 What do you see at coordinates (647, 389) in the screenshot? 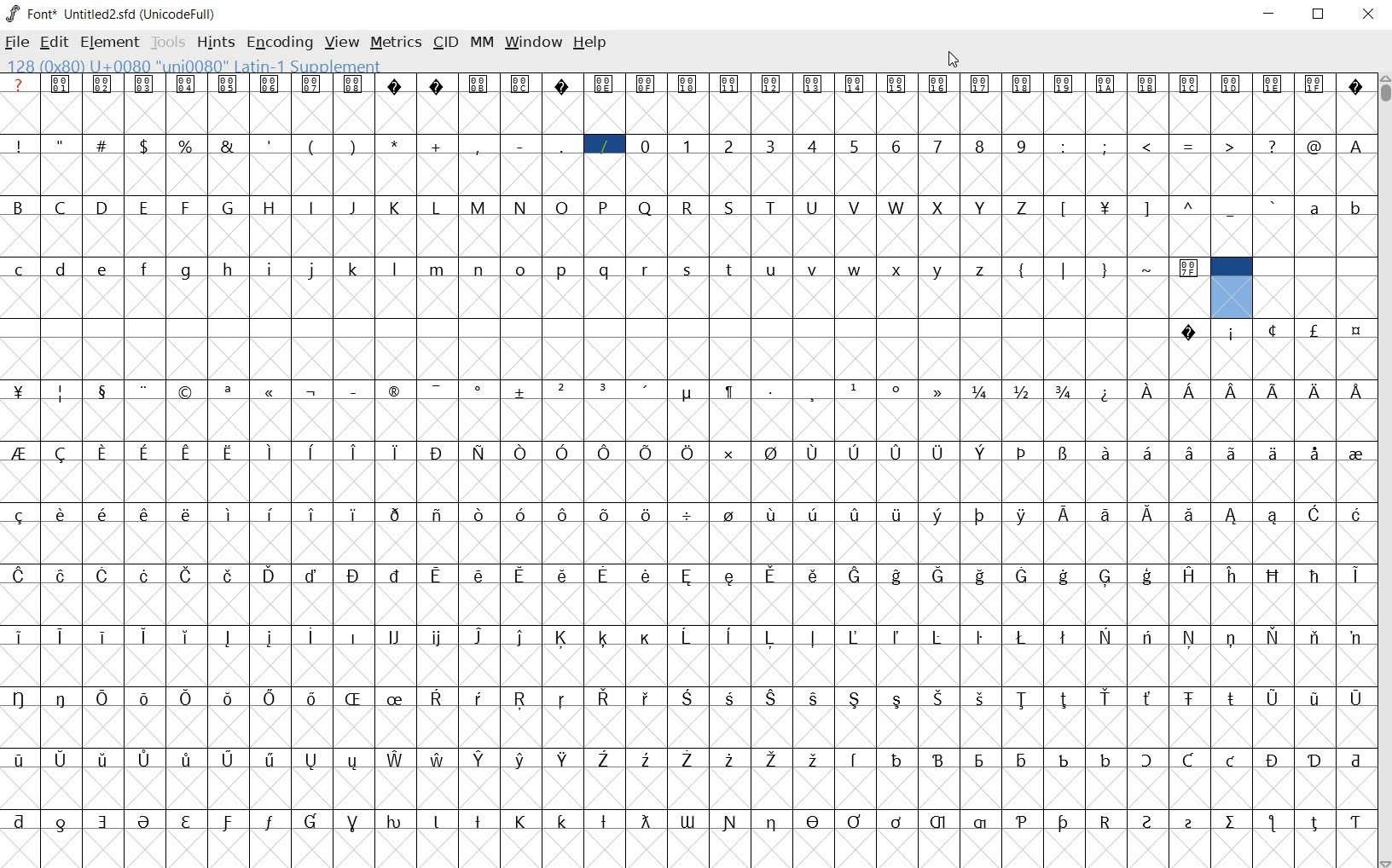
I see `Symbol` at bounding box center [647, 389].